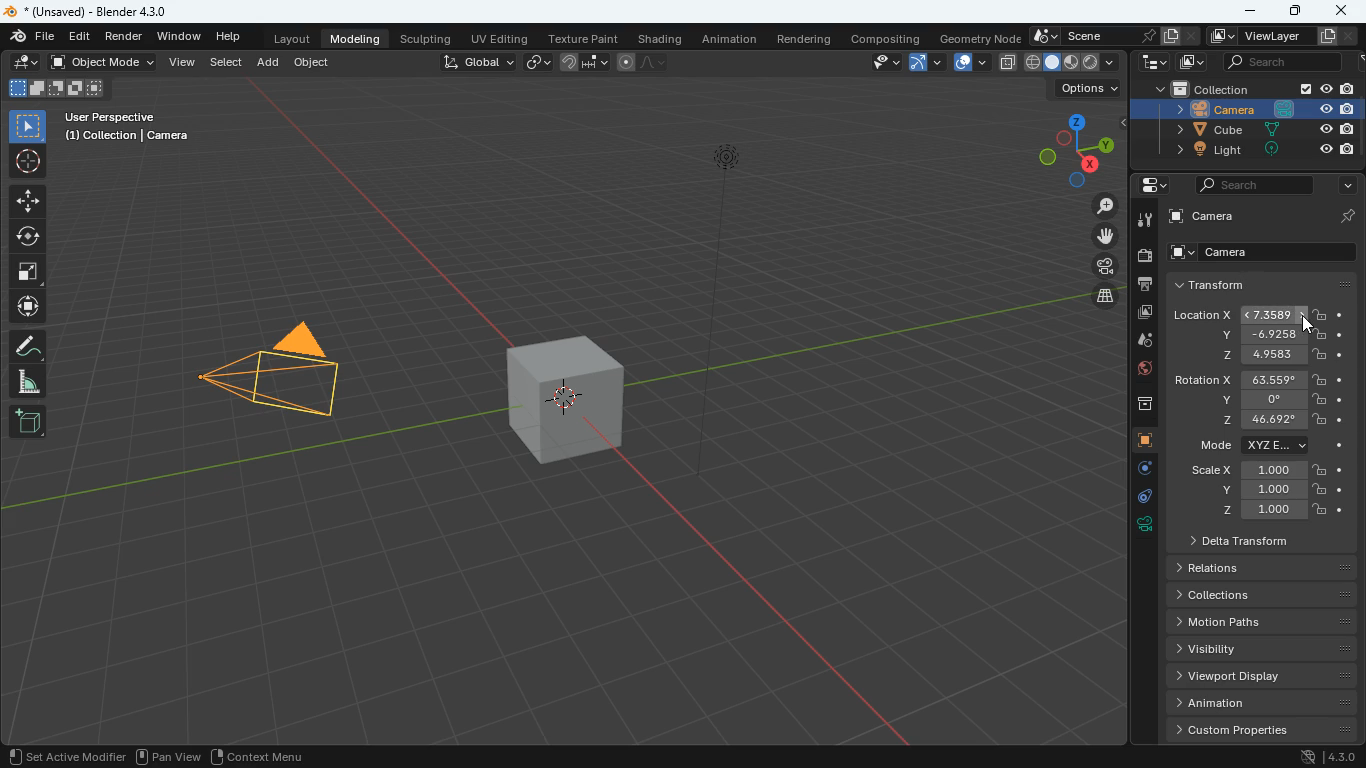  Describe the element at coordinates (1260, 595) in the screenshot. I see `Collections` at that location.